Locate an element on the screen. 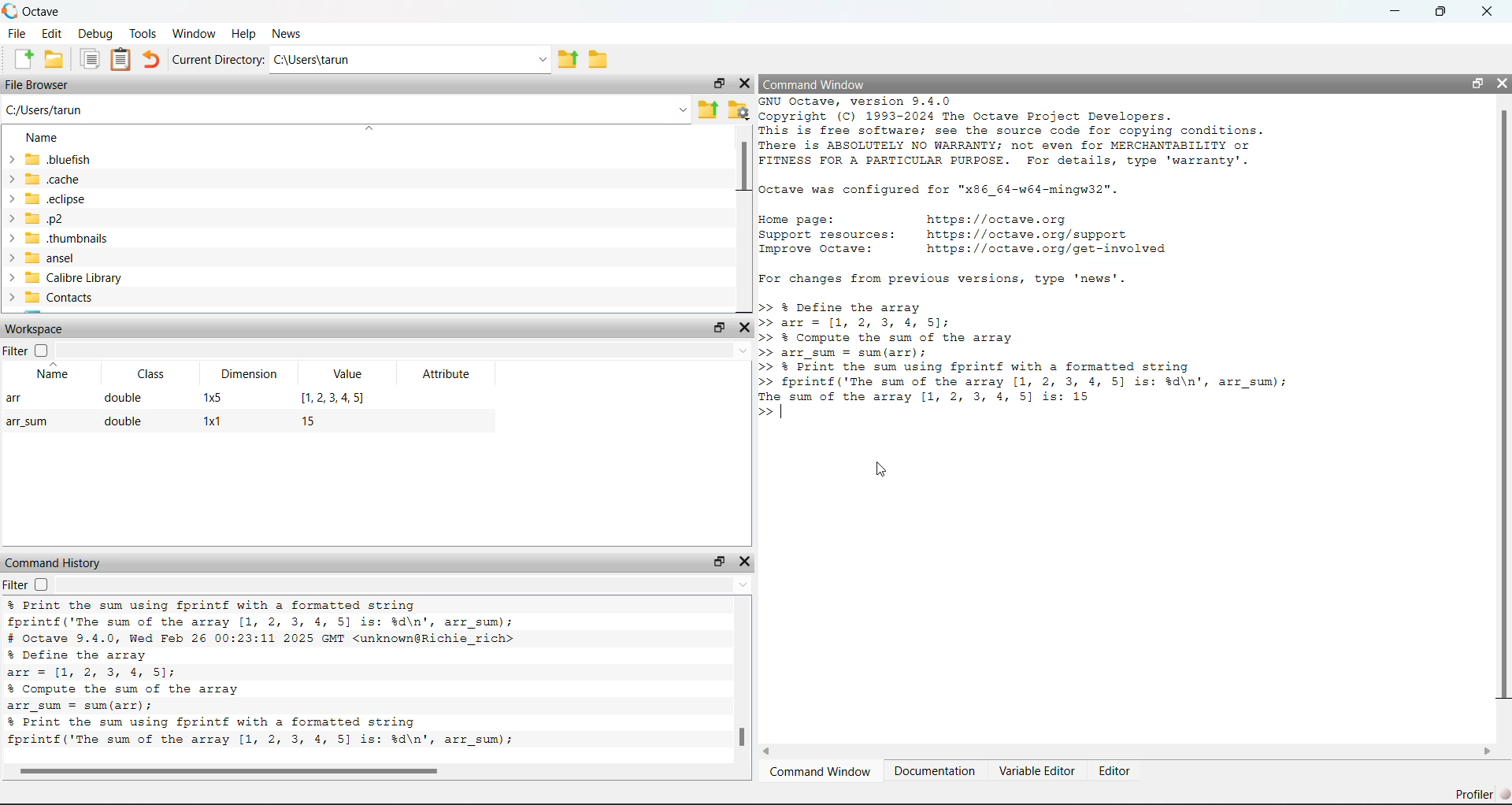 Image resolution: width=1512 pixels, height=805 pixels. One directory up is located at coordinates (709, 111).